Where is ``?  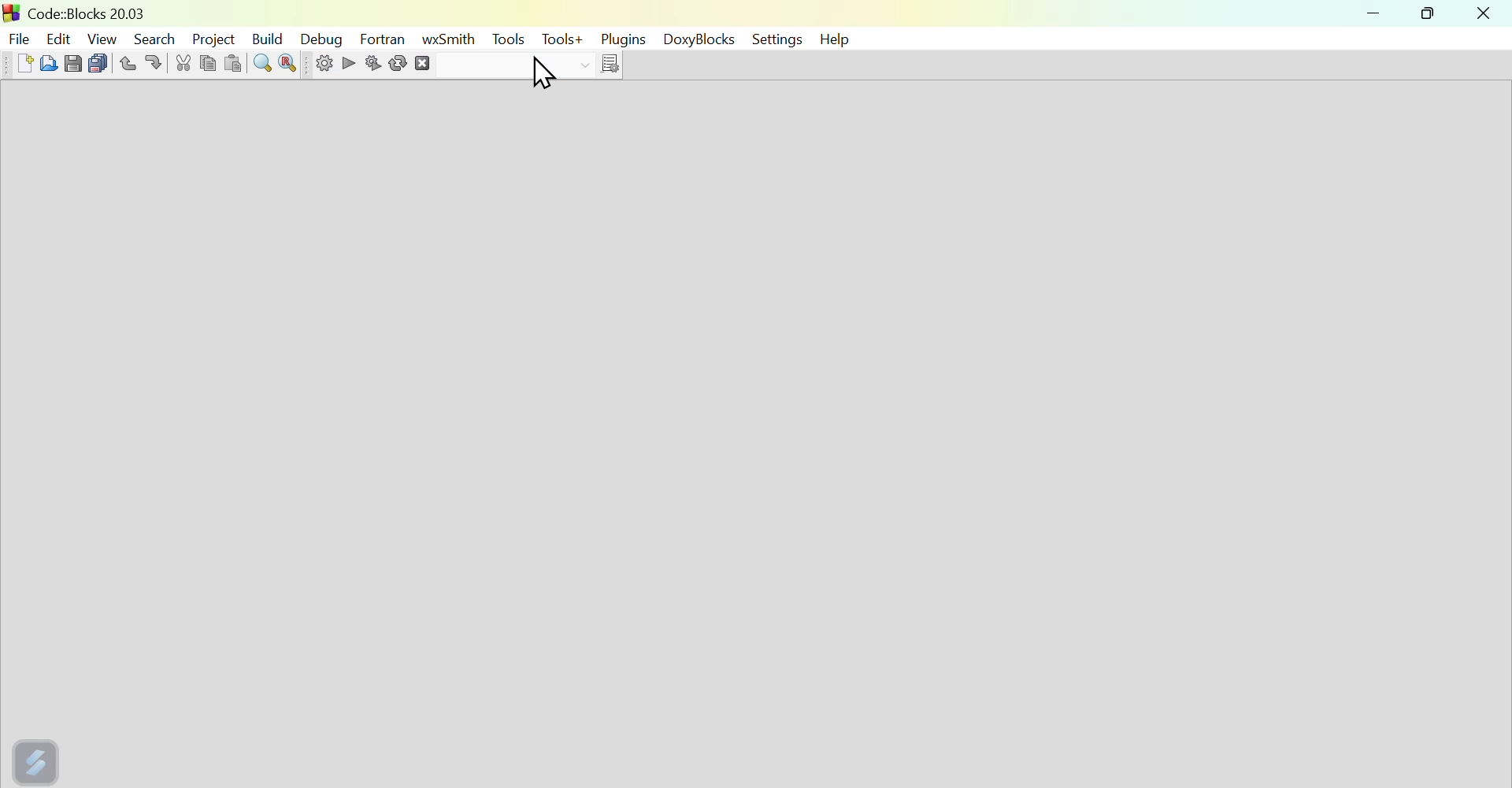
 is located at coordinates (184, 62).